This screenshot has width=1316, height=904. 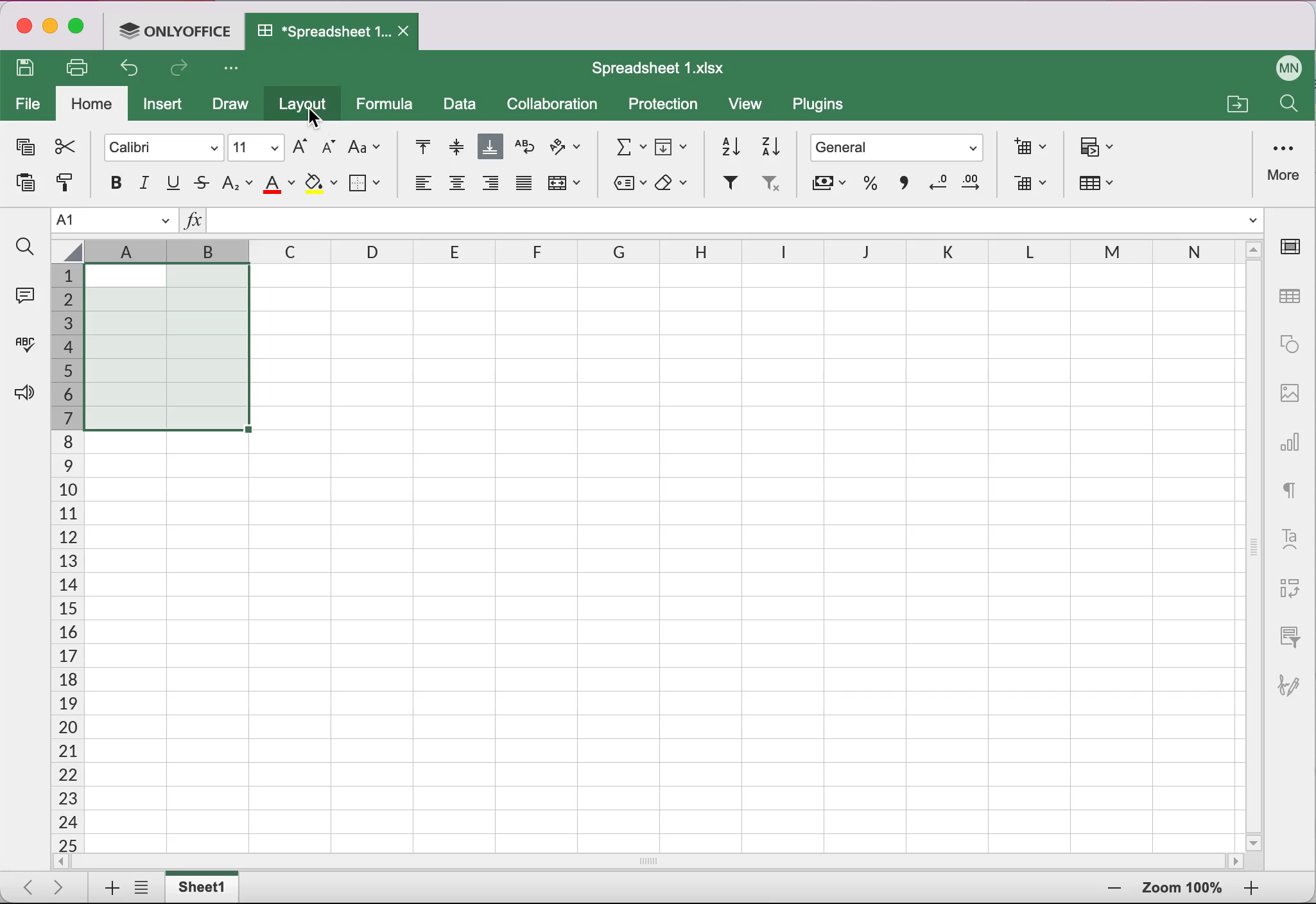 I want to click on align top, so click(x=415, y=148).